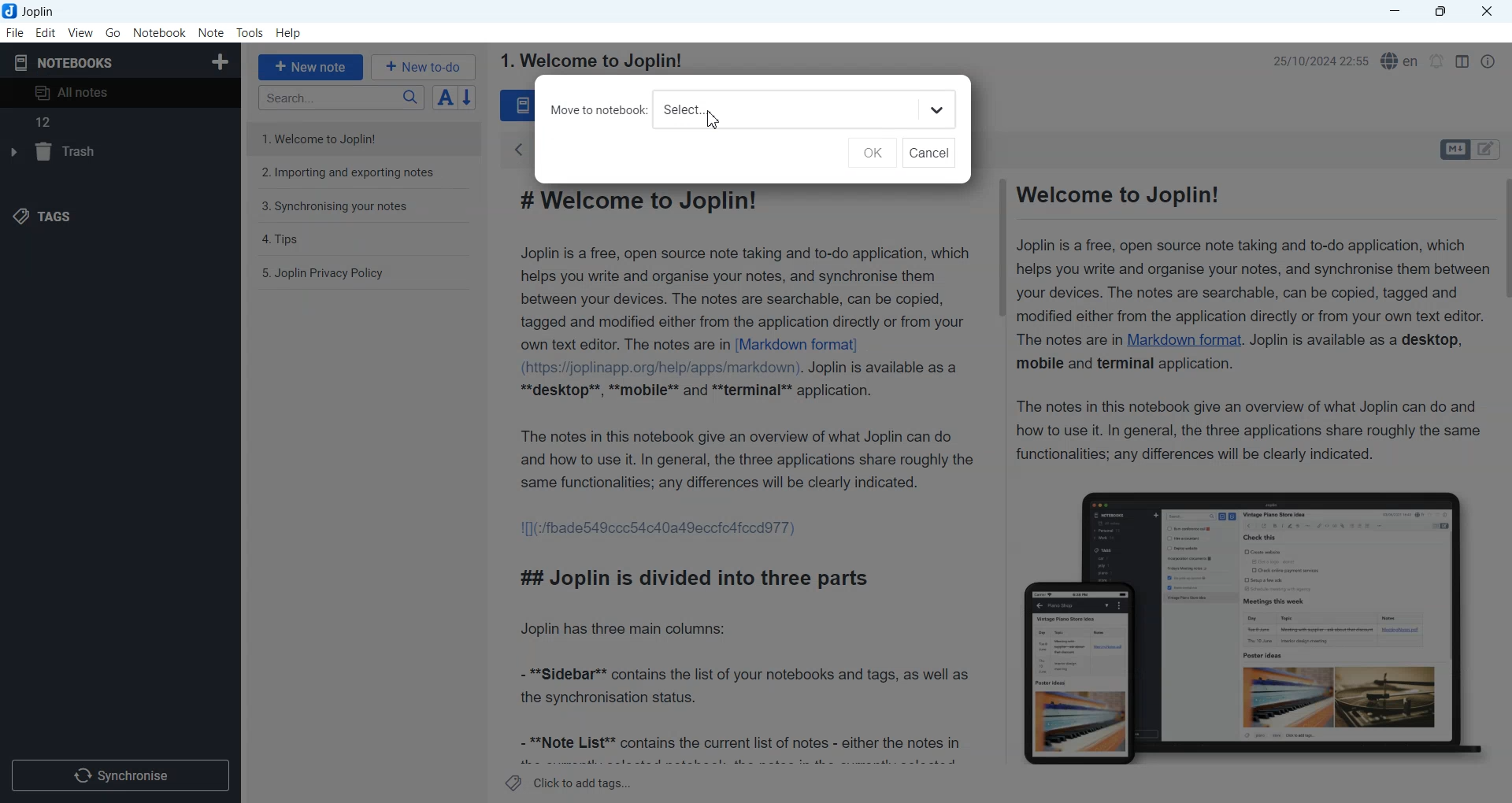 The width and height of the screenshot is (1512, 803). What do you see at coordinates (445, 97) in the screenshot?
I see `Toggle sort order field` at bounding box center [445, 97].